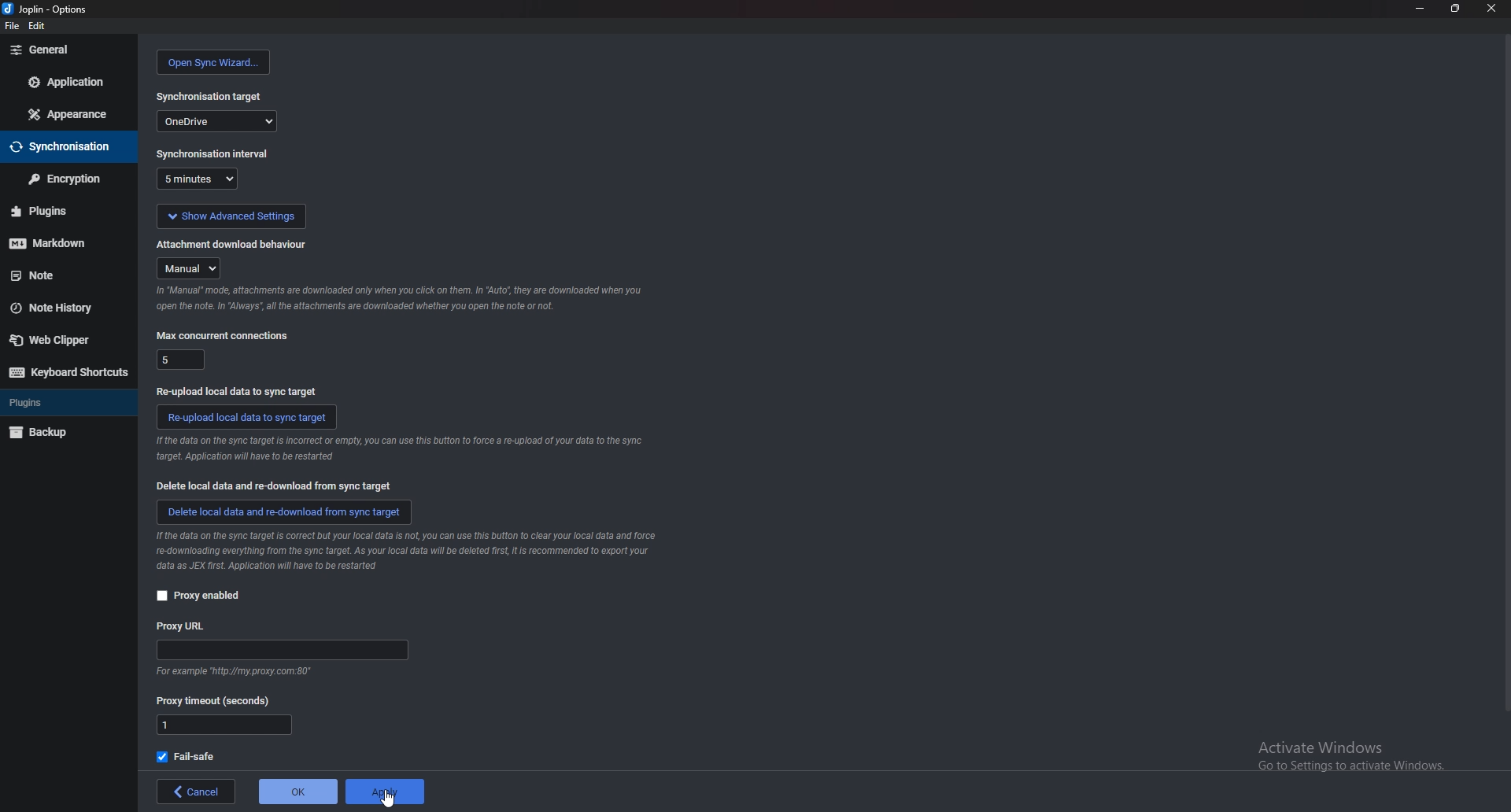 This screenshot has height=812, width=1511. What do you see at coordinates (224, 335) in the screenshot?
I see `max concurrent connections` at bounding box center [224, 335].